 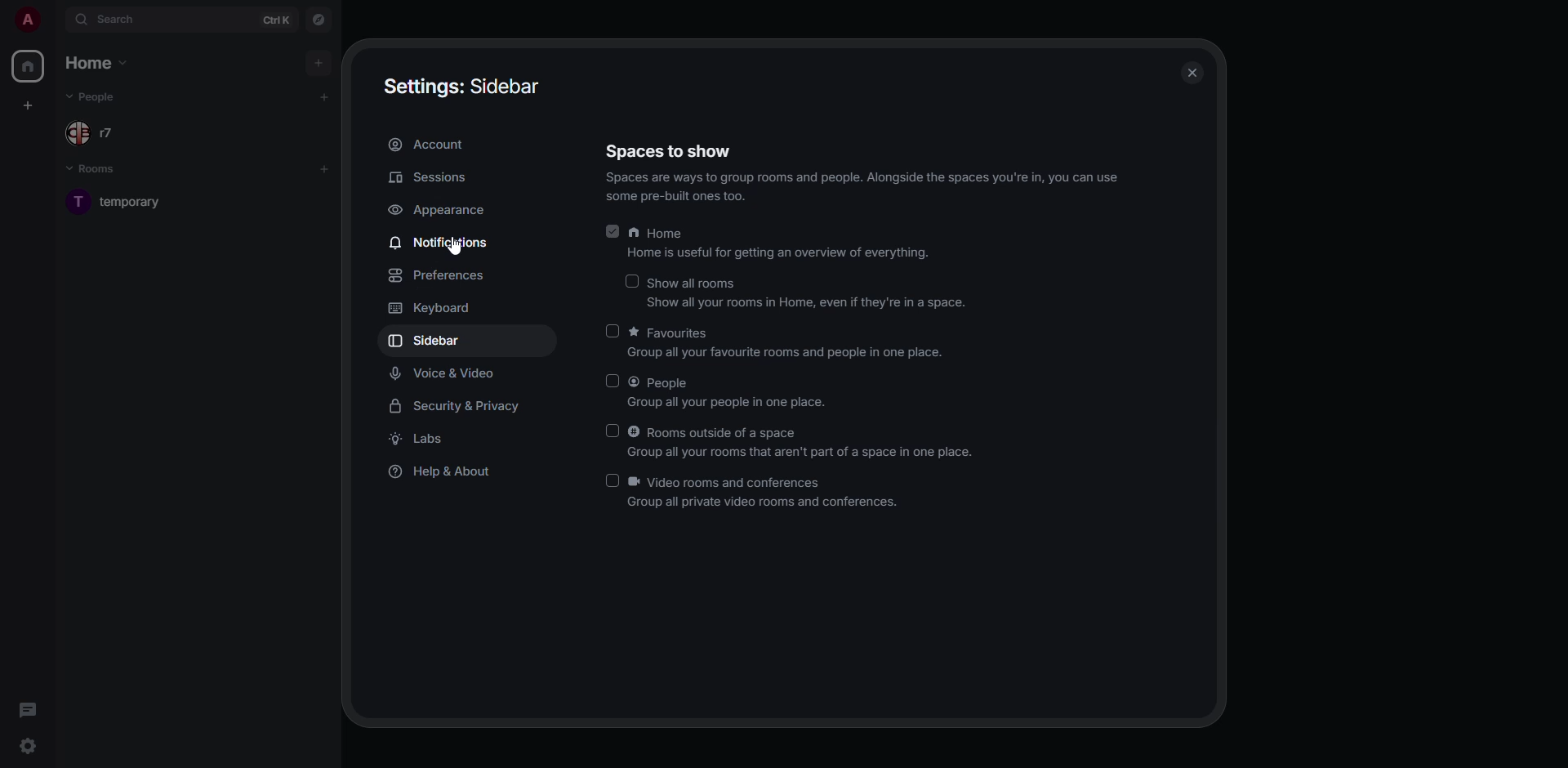 What do you see at coordinates (439, 209) in the screenshot?
I see `appearance` at bounding box center [439, 209].